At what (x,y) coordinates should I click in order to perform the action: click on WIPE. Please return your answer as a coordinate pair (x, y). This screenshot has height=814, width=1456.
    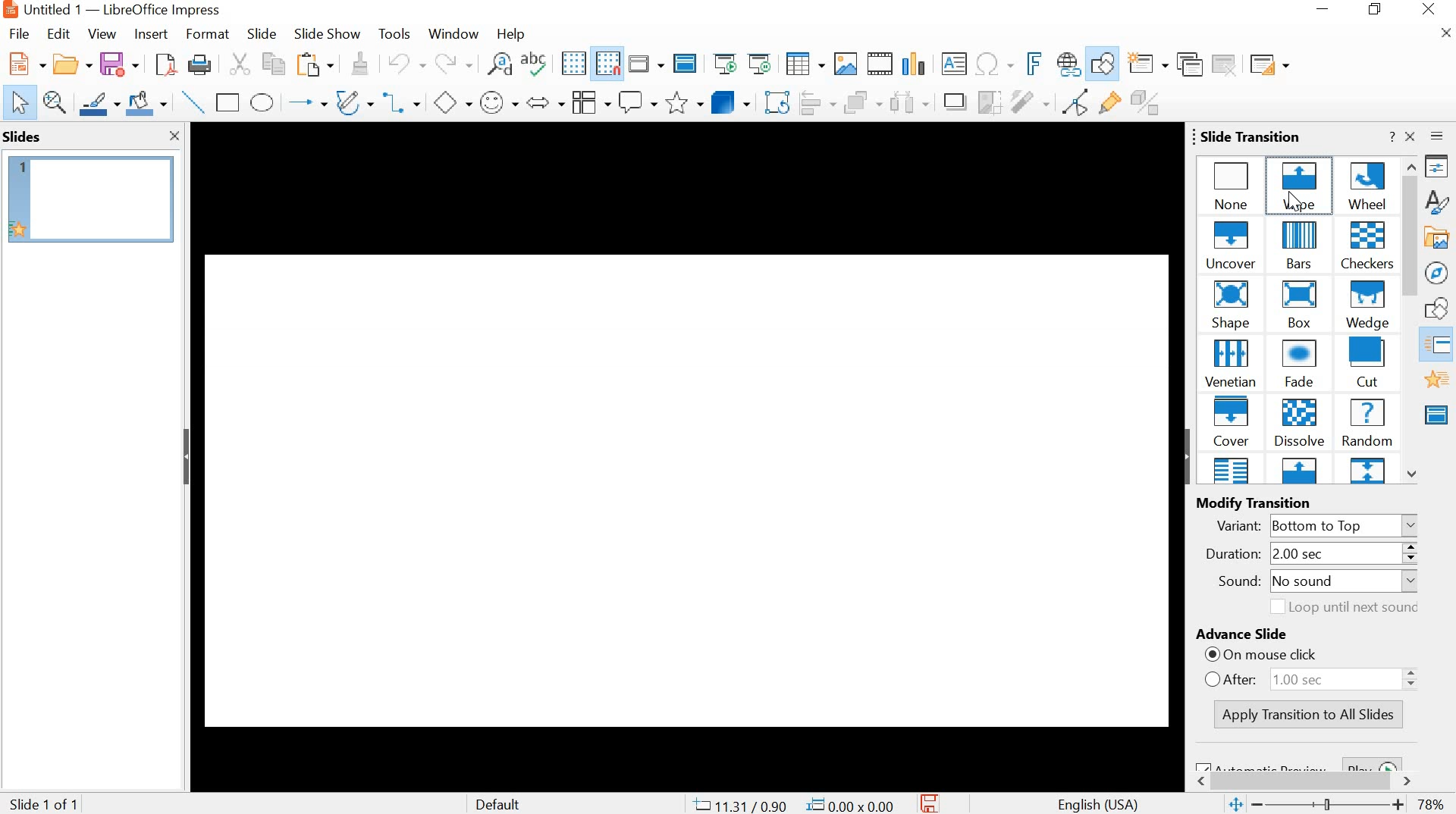
    Looking at the image, I should click on (1301, 183).